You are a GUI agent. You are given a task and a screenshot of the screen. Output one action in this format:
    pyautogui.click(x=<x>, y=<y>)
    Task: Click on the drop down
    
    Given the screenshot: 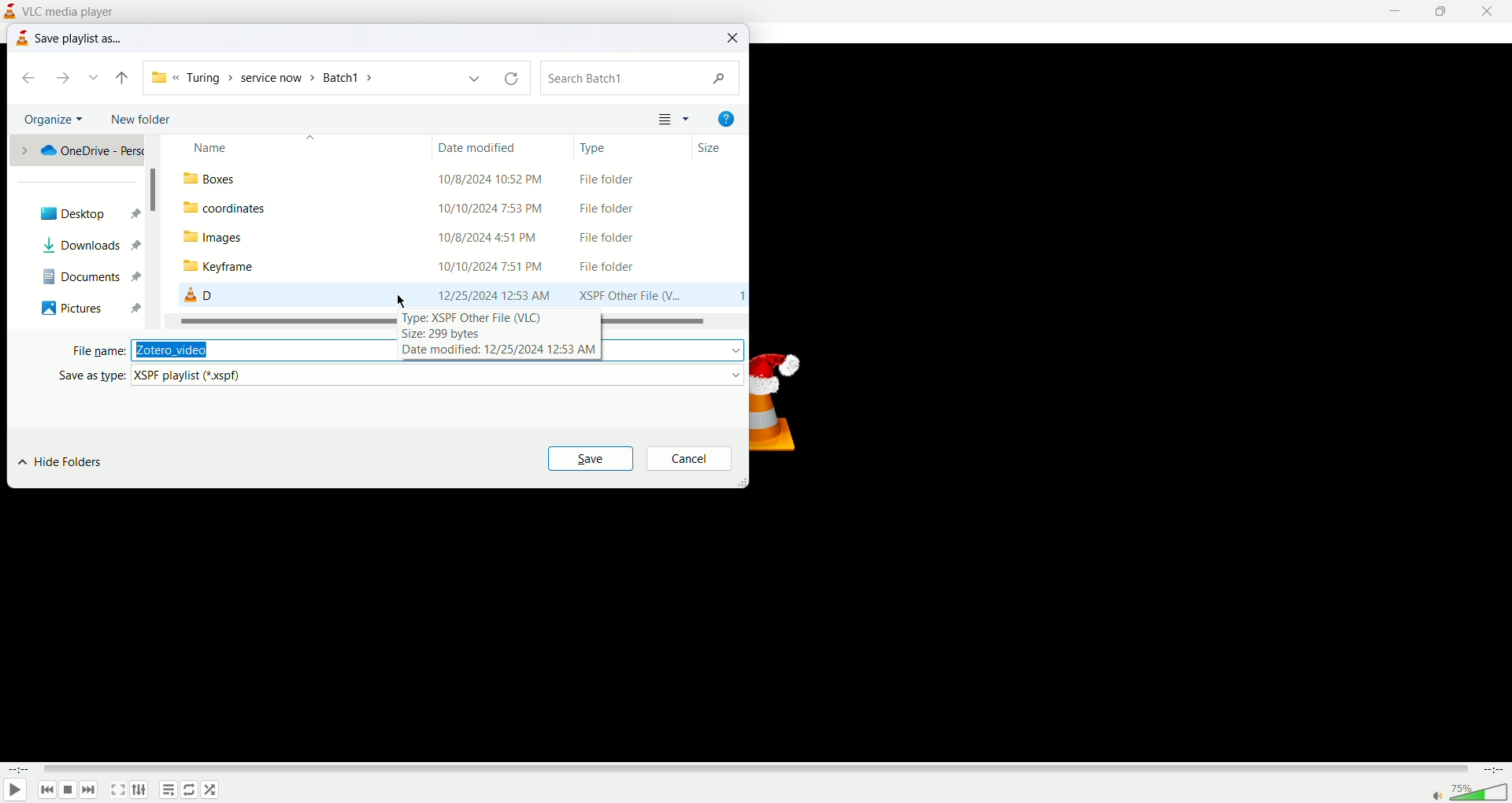 What is the action you would take?
    pyautogui.click(x=96, y=77)
    